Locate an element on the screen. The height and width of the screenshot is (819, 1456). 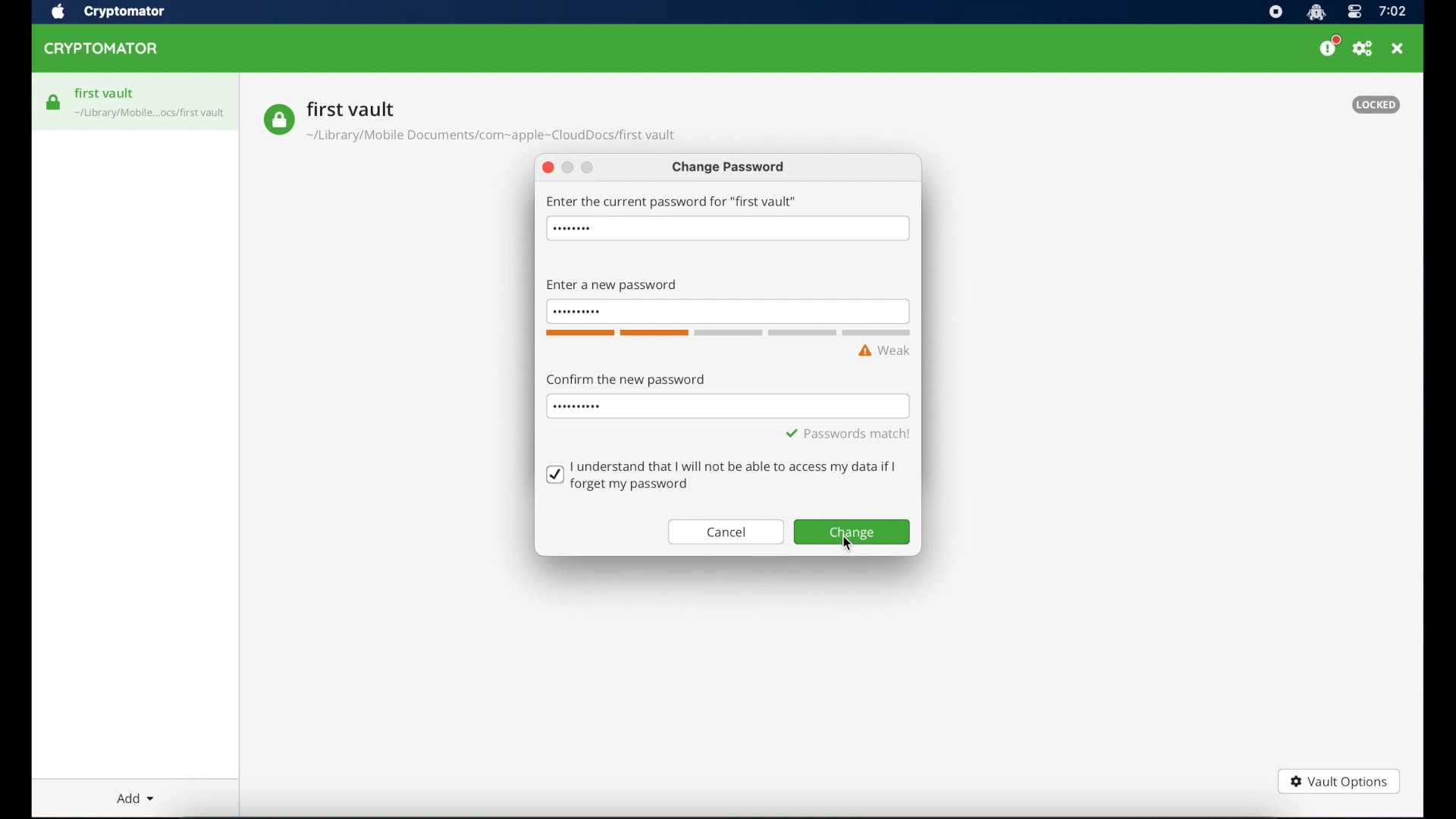
screen recorder icon is located at coordinates (1276, 13).